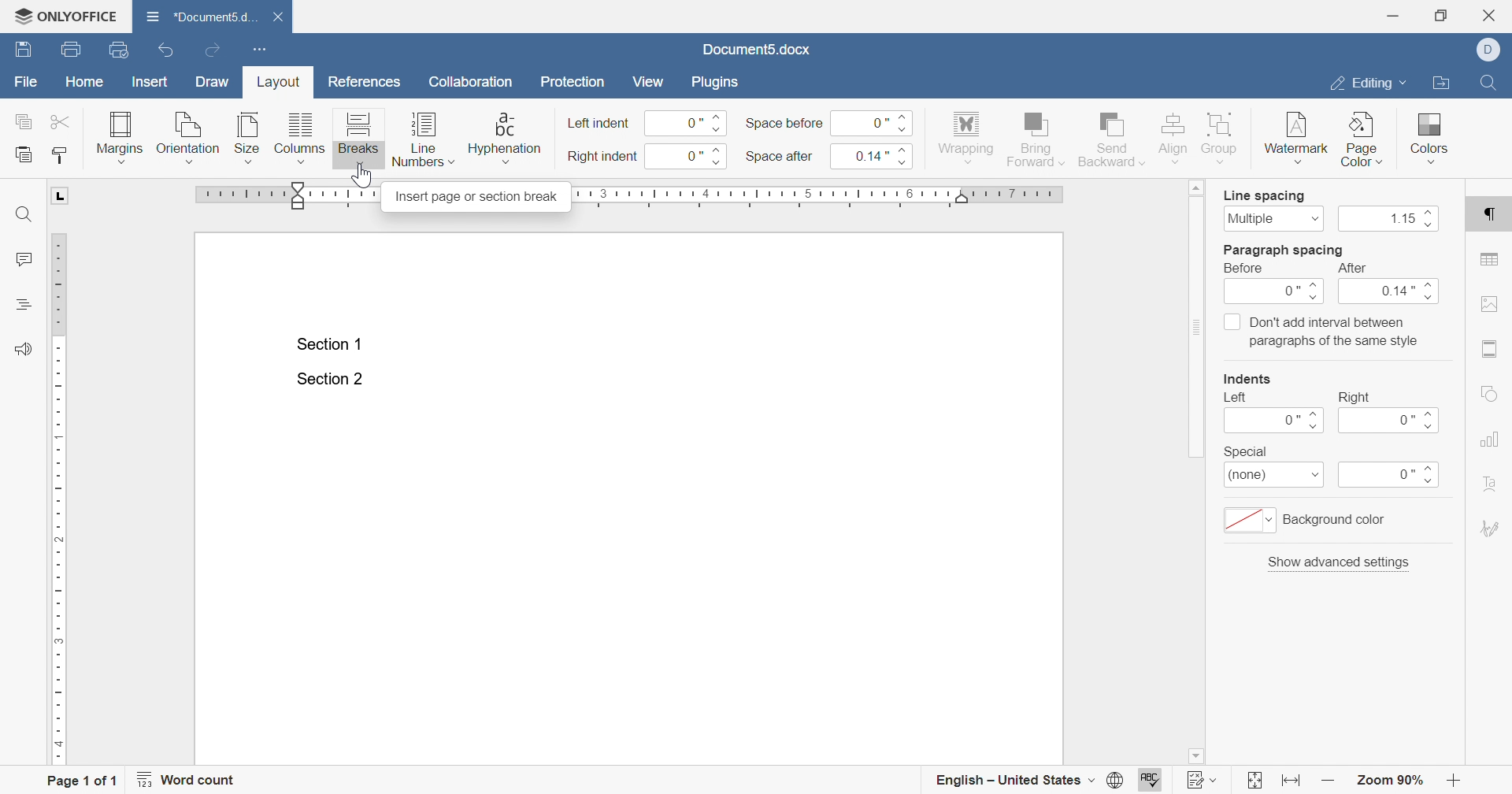 The height and width of the screenshot is (794, 1512). What do you see at coordinates (1491, 48) in the screenshot?
I see `Dell` at bounding box center [1491, 48].